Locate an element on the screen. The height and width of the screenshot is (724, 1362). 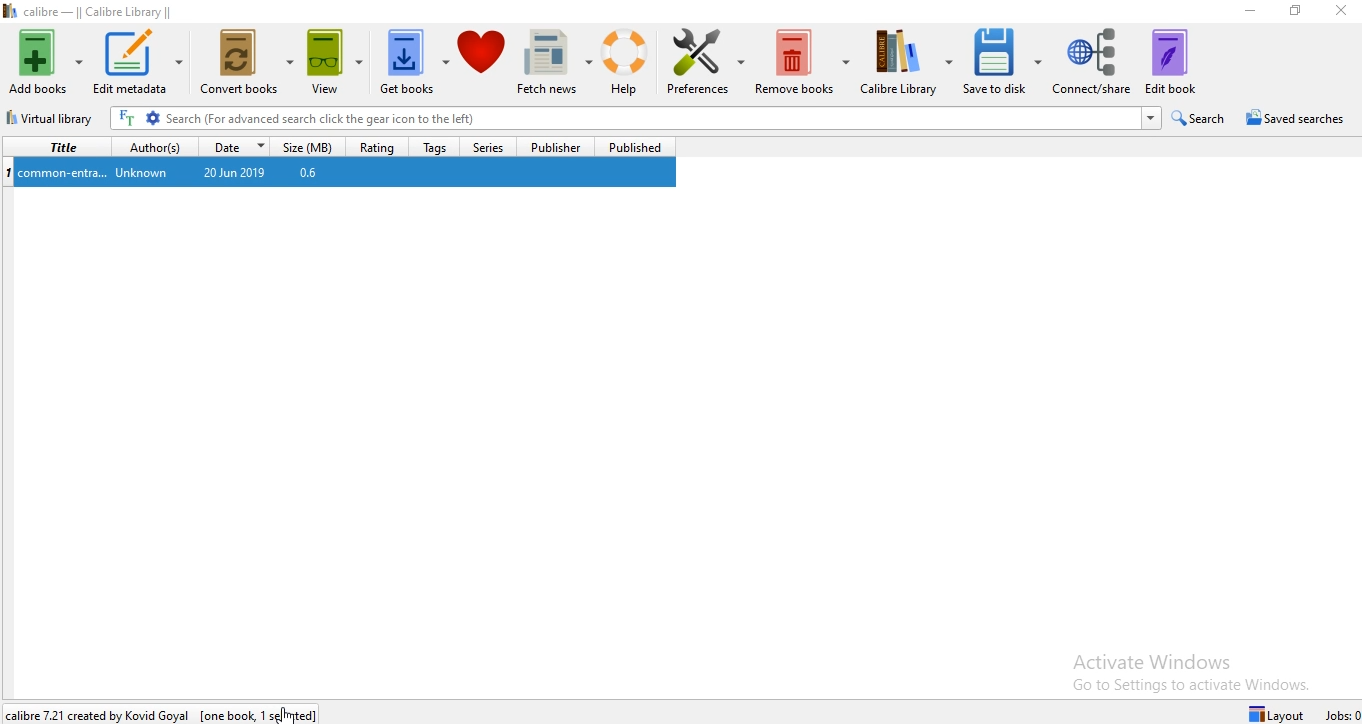
Edit Metadata is located at coordinates (137, 58).